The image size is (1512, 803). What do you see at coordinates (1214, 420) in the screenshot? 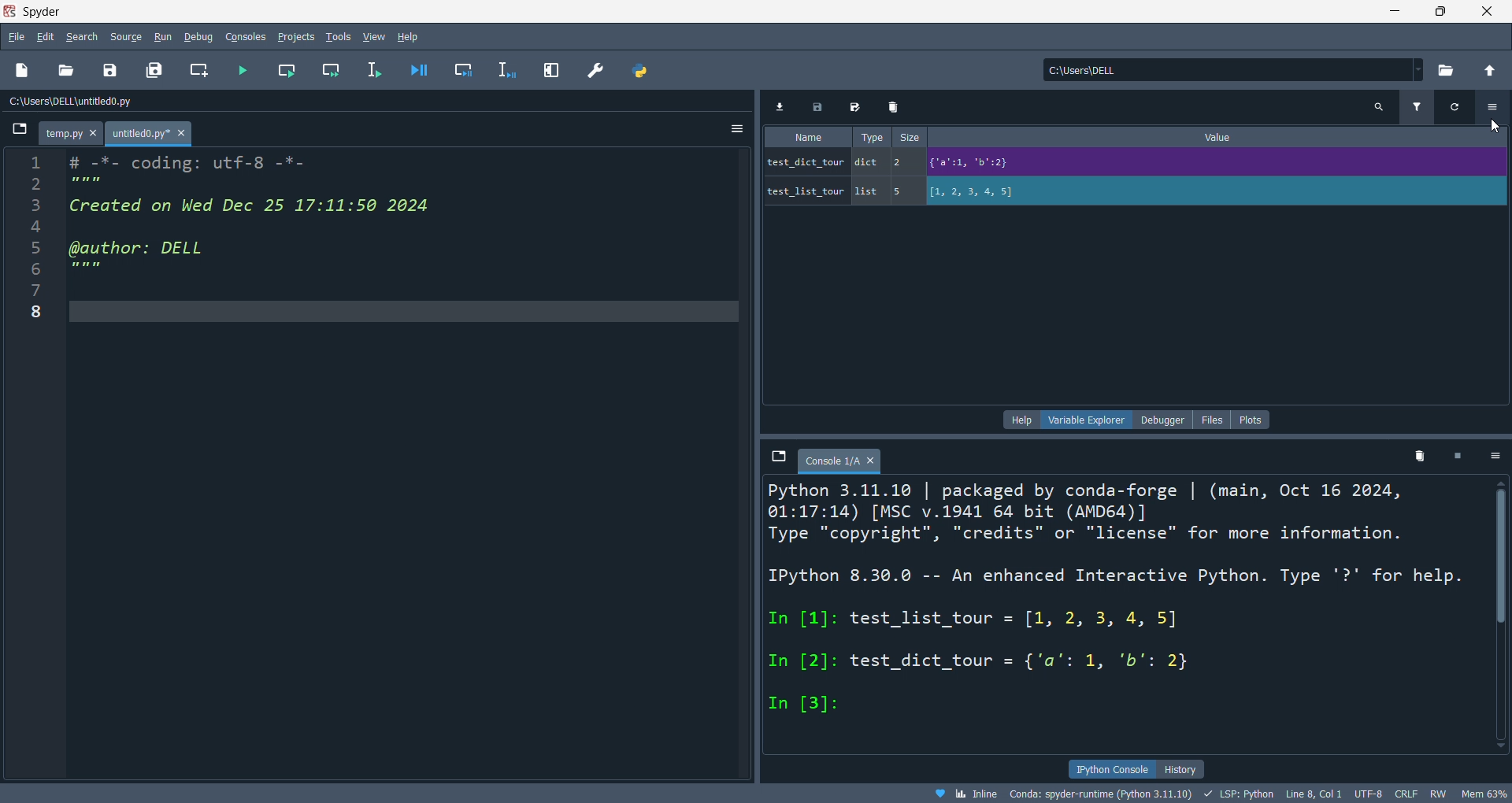
I see `files` at bounding box center [1214, 420].